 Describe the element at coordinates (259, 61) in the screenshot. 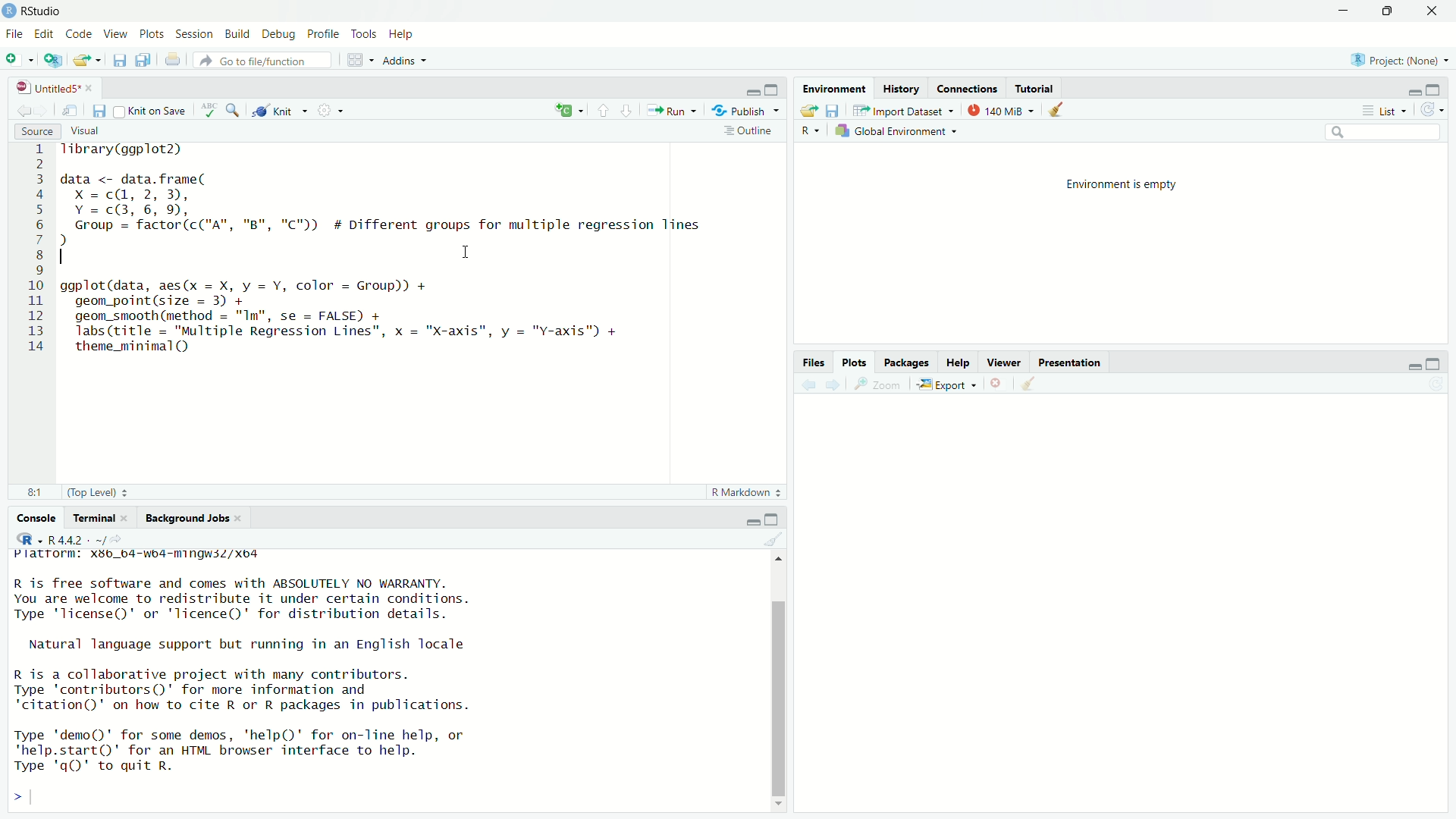

I see `‘Go to file/function` at that location.